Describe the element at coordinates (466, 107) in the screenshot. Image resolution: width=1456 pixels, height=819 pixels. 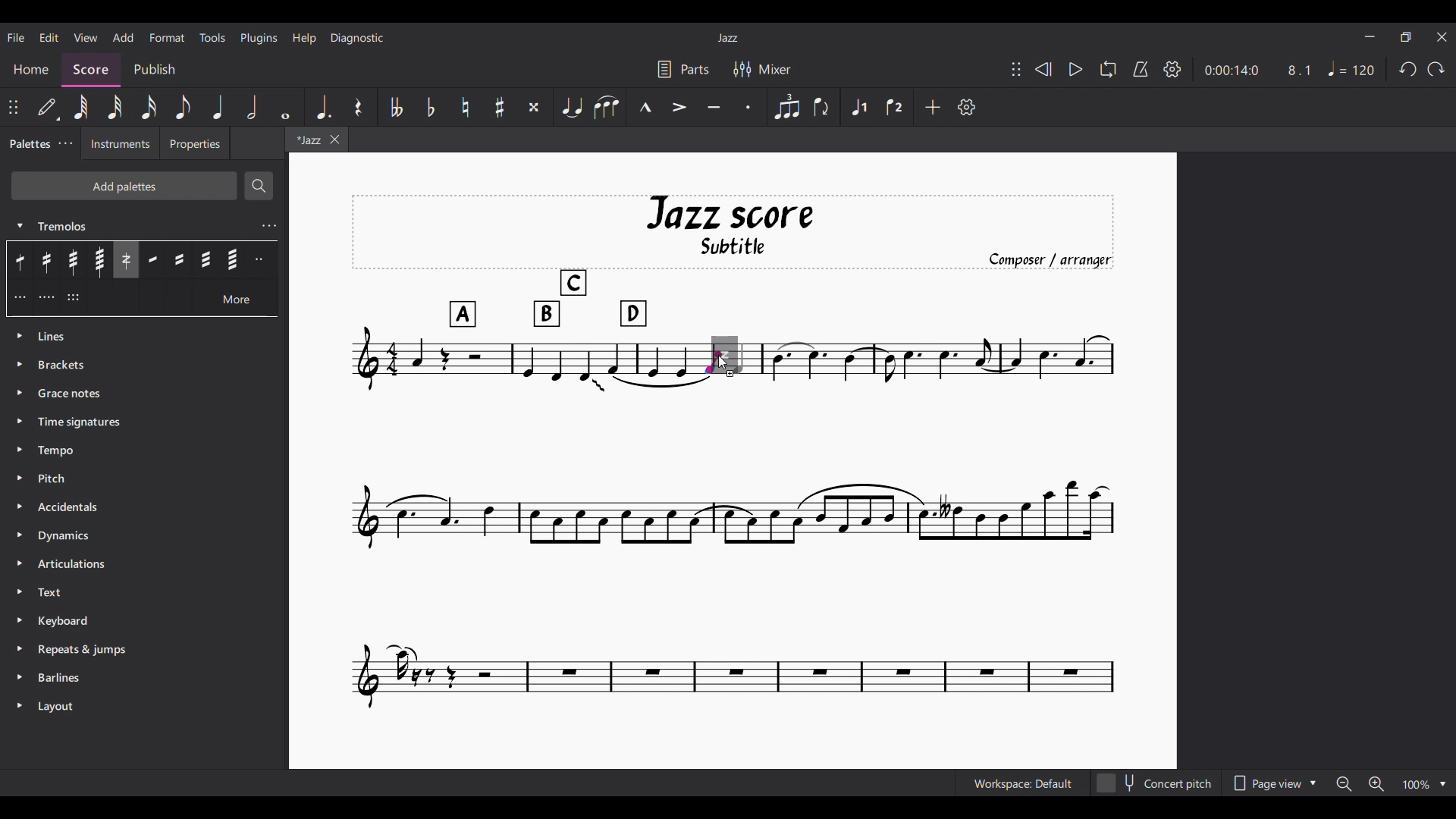
I see `Toggle natural` at that location.